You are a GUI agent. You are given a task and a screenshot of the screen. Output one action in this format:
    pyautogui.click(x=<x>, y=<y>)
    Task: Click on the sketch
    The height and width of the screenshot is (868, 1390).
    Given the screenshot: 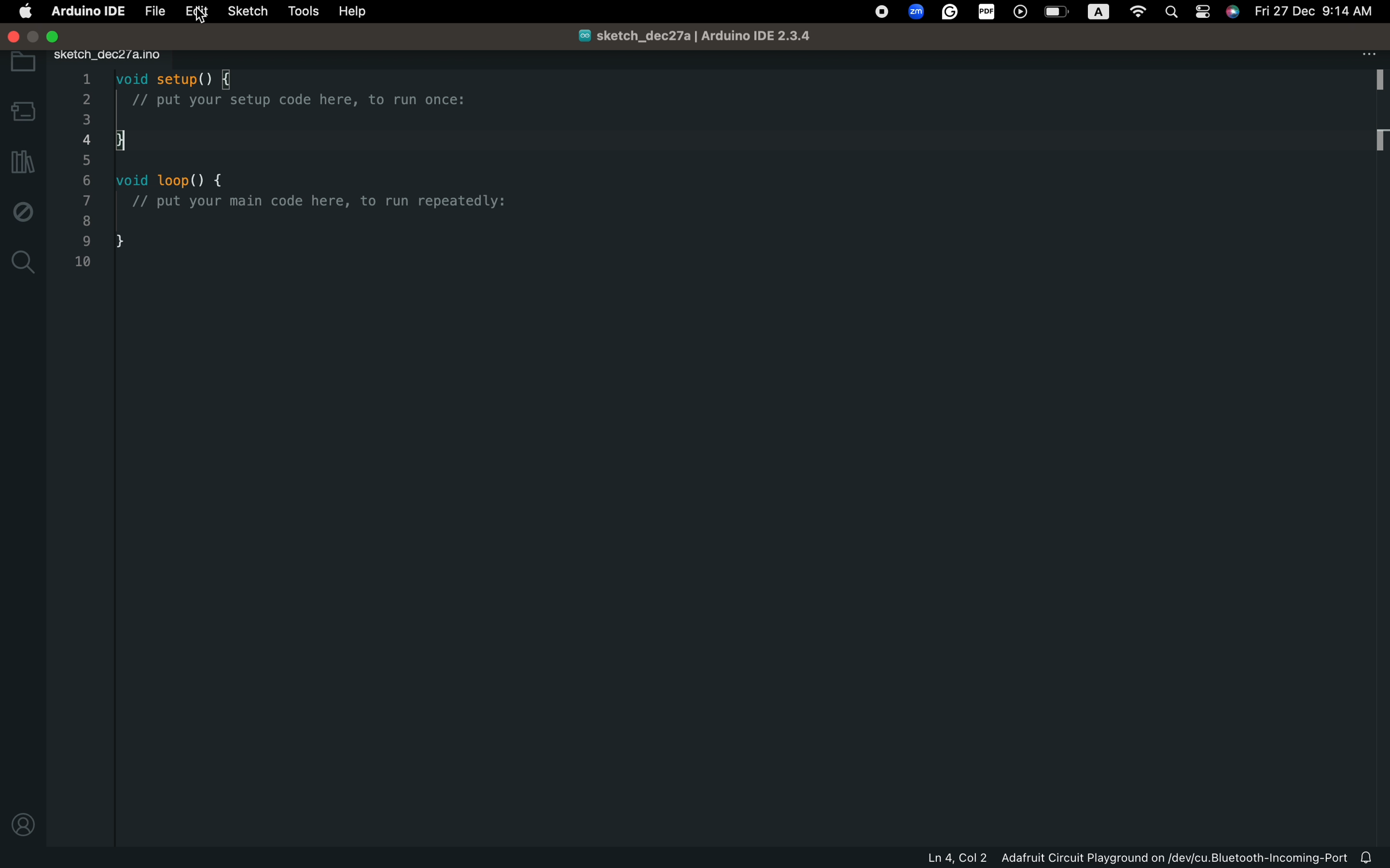 What is the action you would take?
    pyautogui.click(x=247, y=12)
    